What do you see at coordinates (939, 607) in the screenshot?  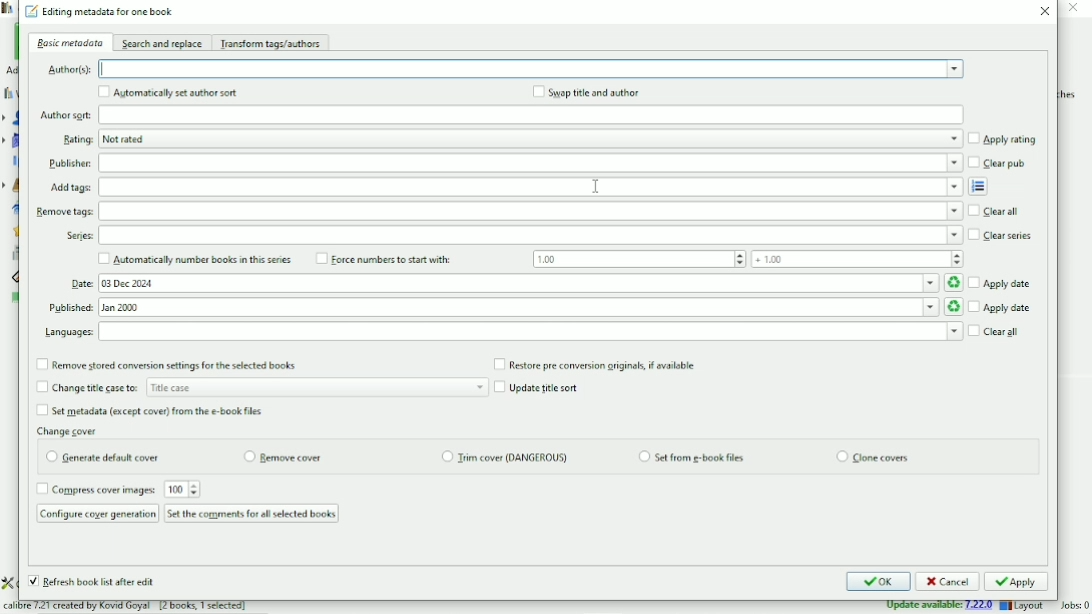 I see `Update available` at bounding box center [939, 607].